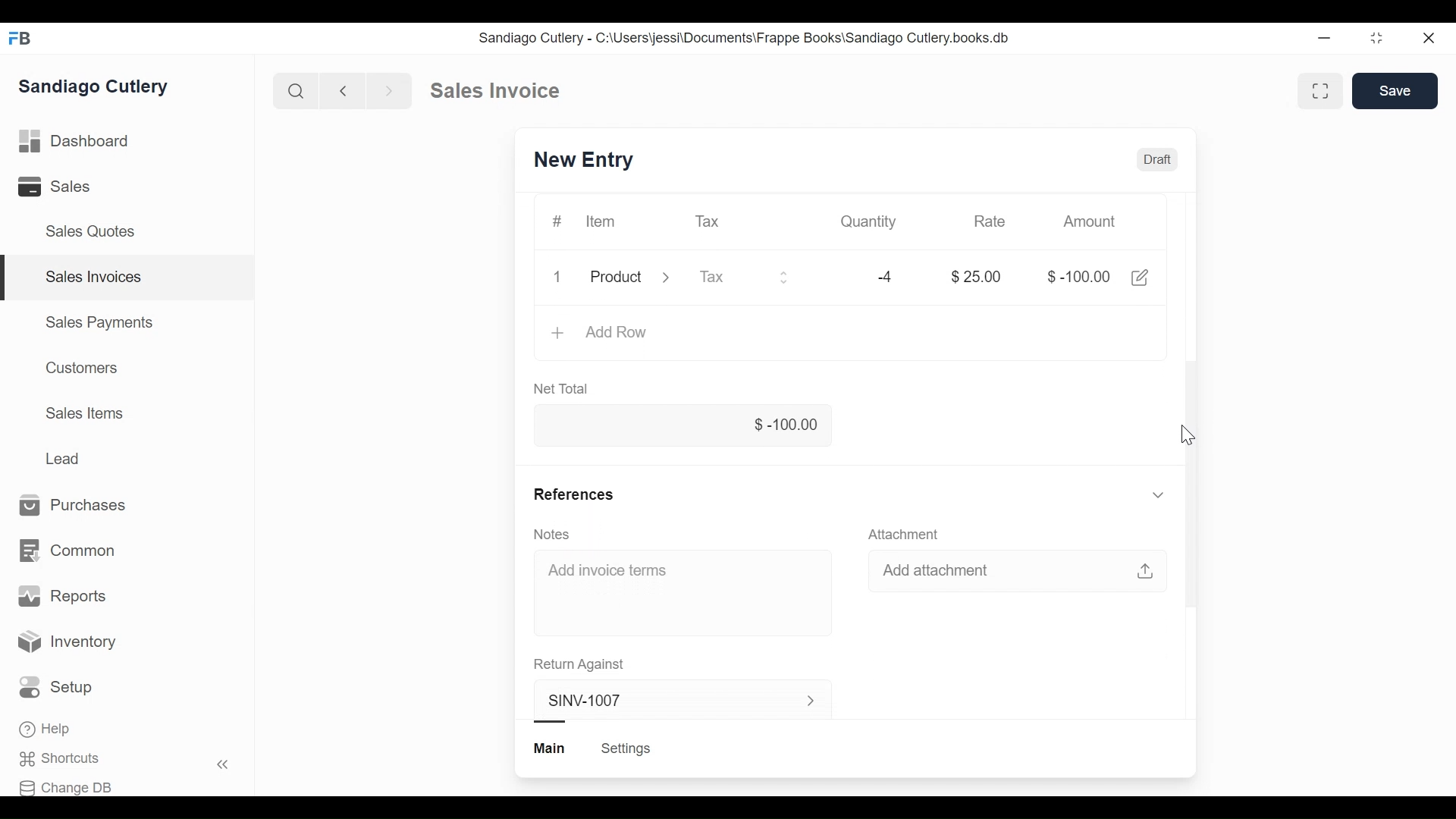 The image size is (1456, 819). I want to click on Customers, so click(83, 367).